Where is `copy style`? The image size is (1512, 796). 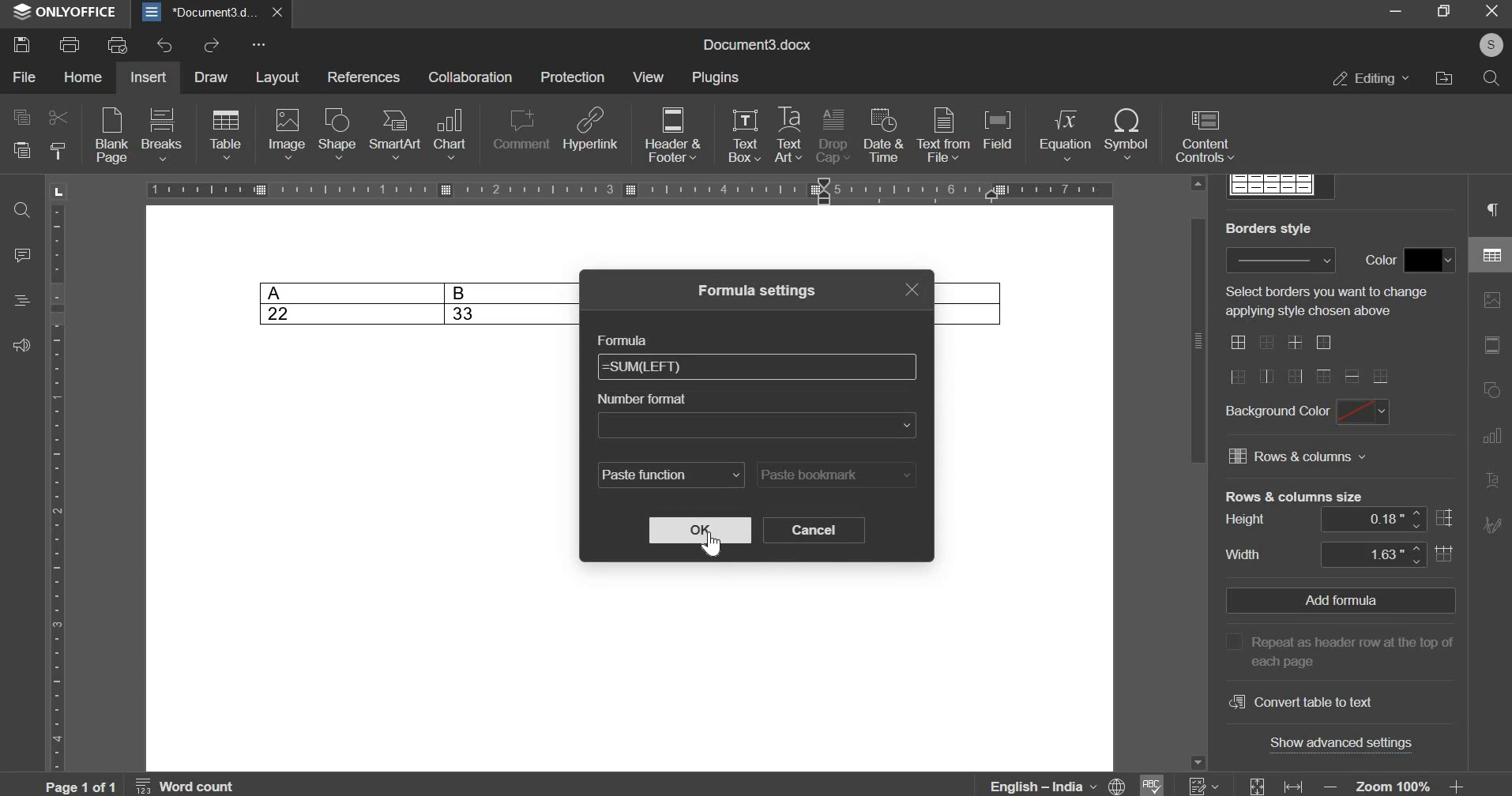
copy style is located at coordinates (58, 150).